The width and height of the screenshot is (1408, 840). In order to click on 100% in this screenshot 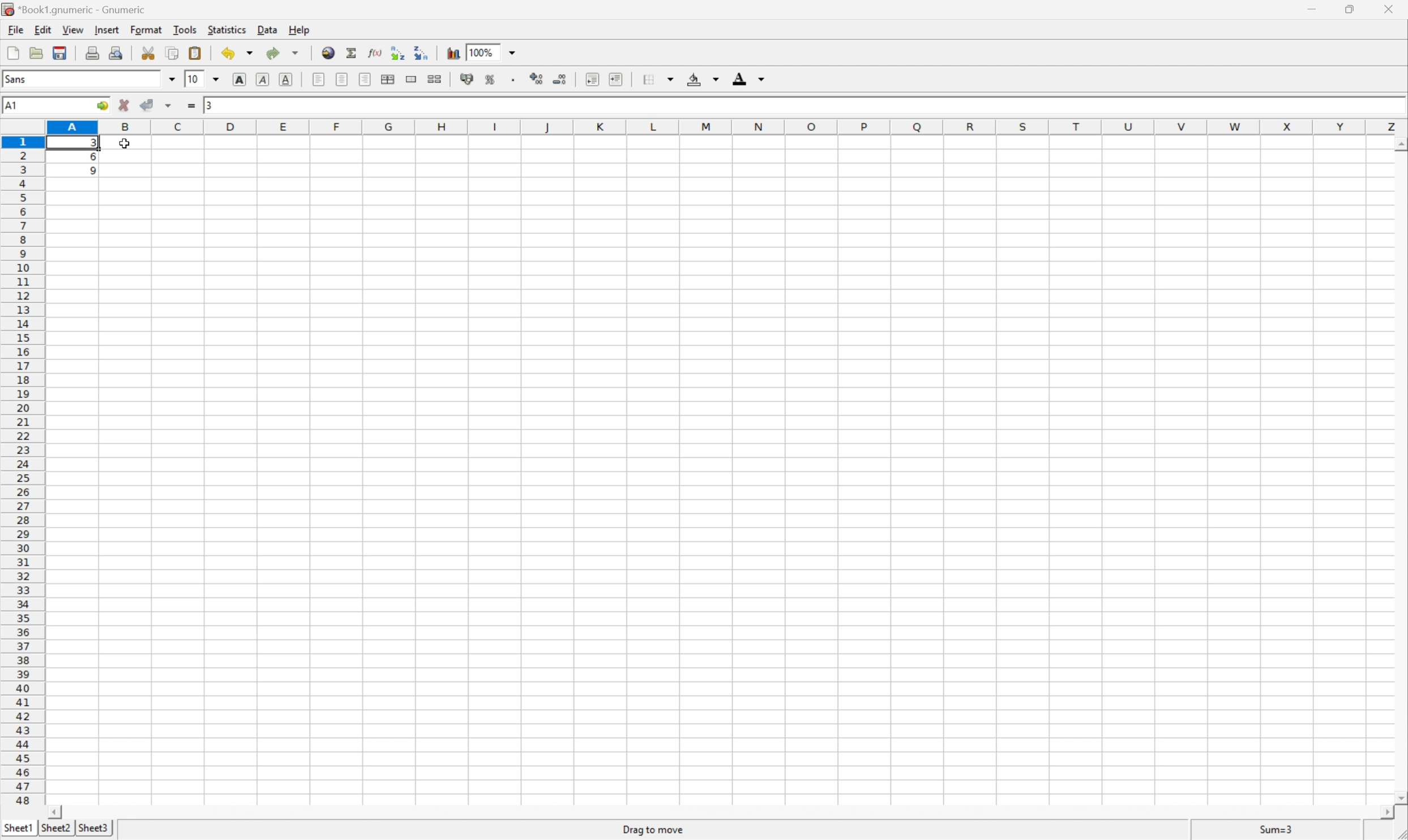, I will do `click(485, 52)`.